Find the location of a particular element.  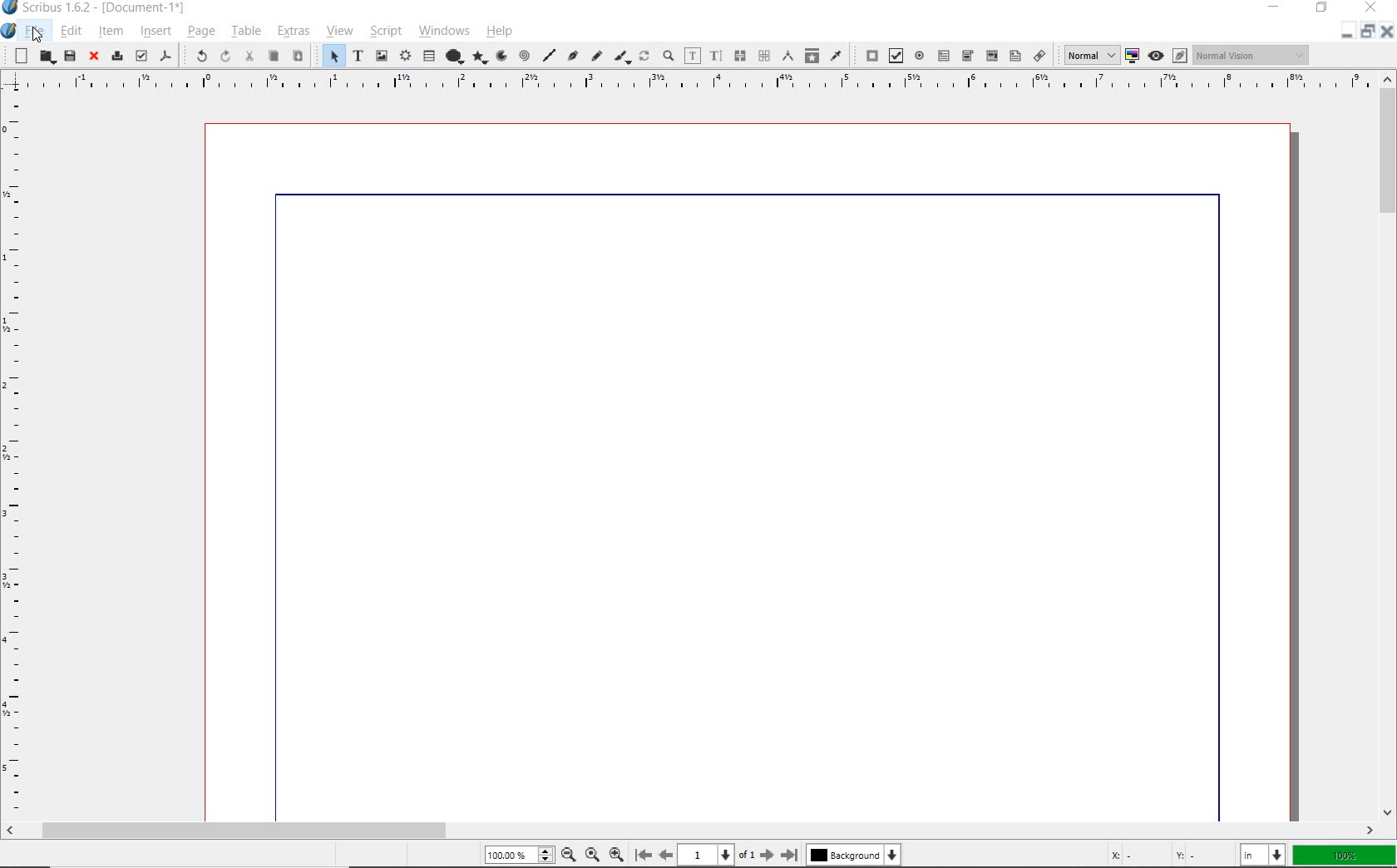

line is located at coordinates (548, 57).